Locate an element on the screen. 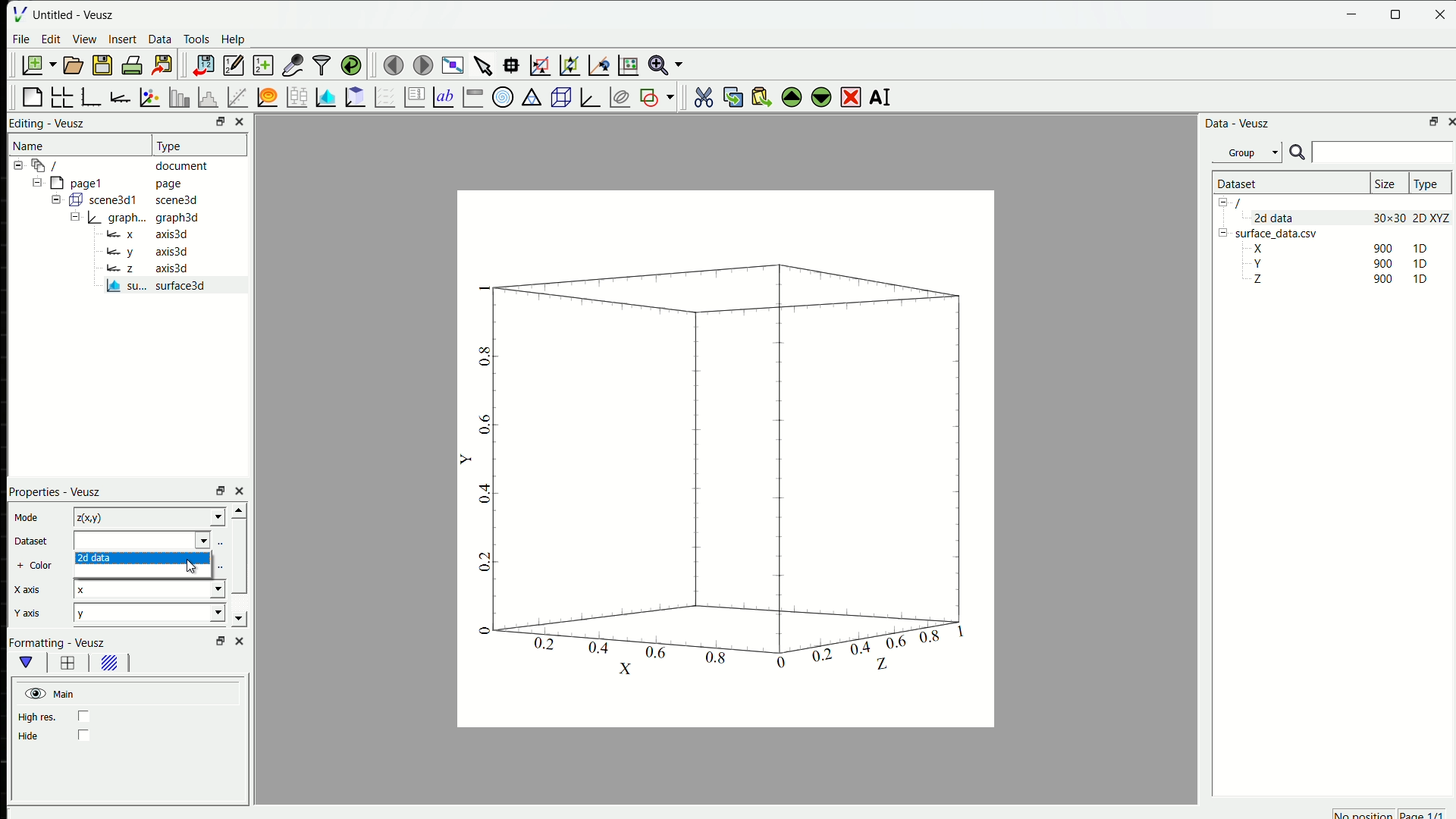  border is located at coordinates (67, 663).